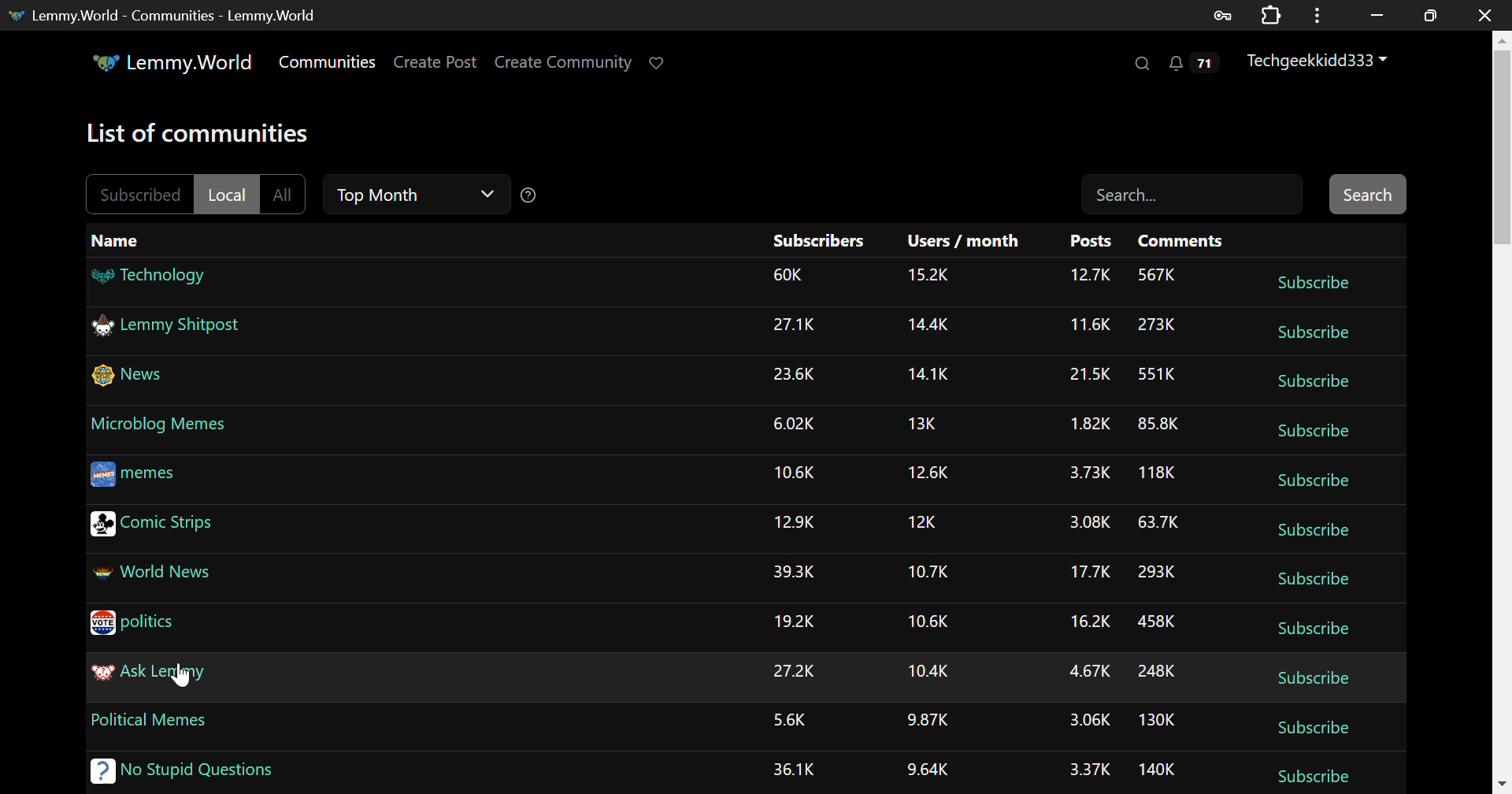  What do you see at coordinates (789, 722) in the screenshot?
I see `Amount` at bounding box center [789, 722].